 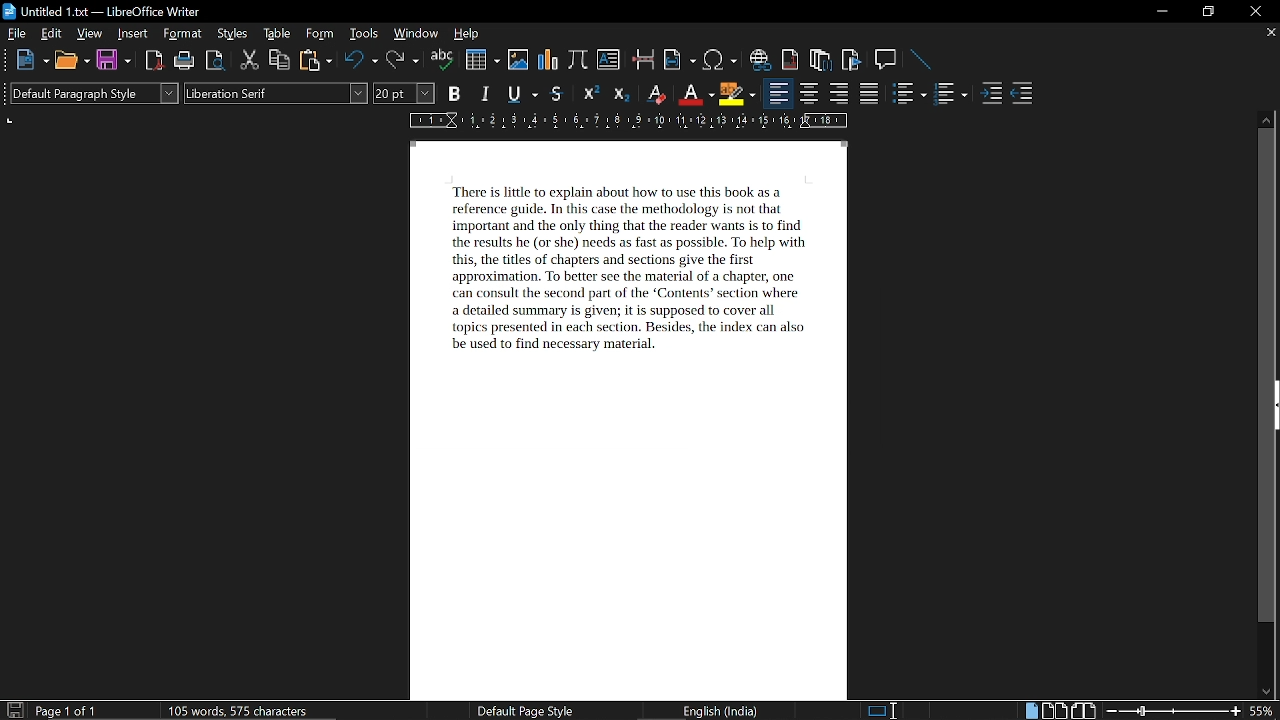 I want to click on close current tab, so click(x=1266, y=33).